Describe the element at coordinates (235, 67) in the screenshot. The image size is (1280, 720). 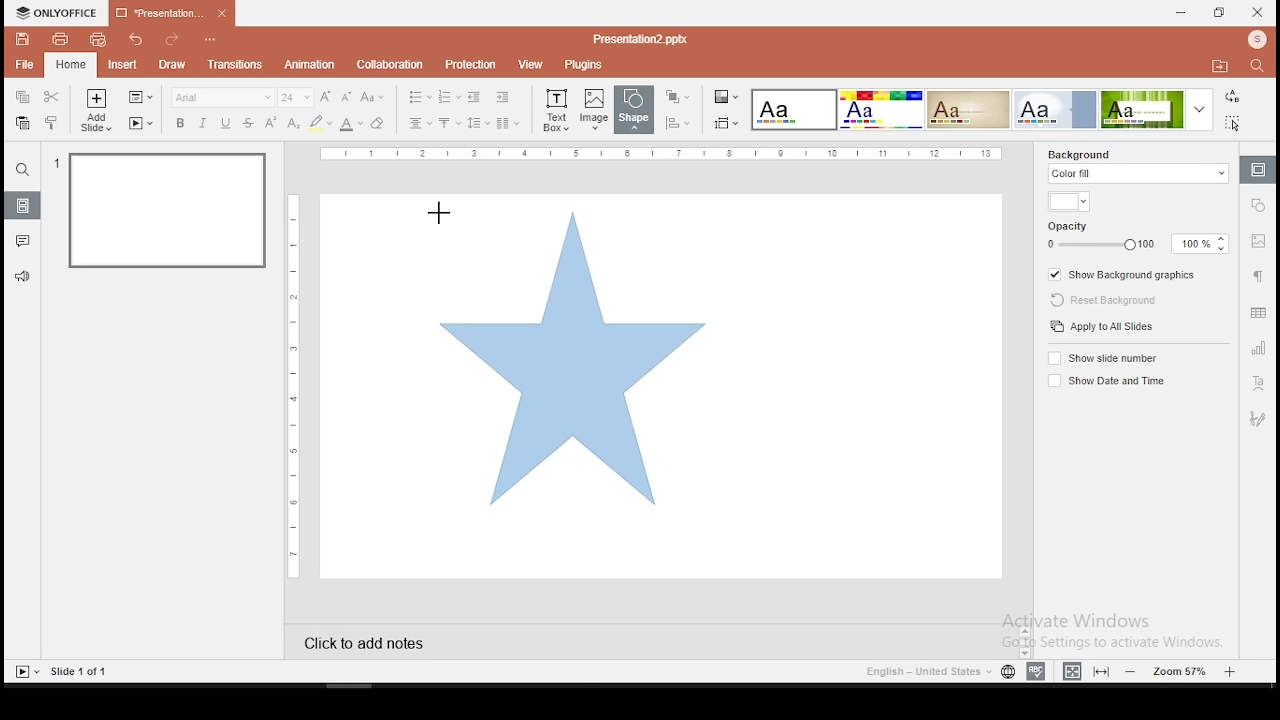
I see `transitions` at that location.